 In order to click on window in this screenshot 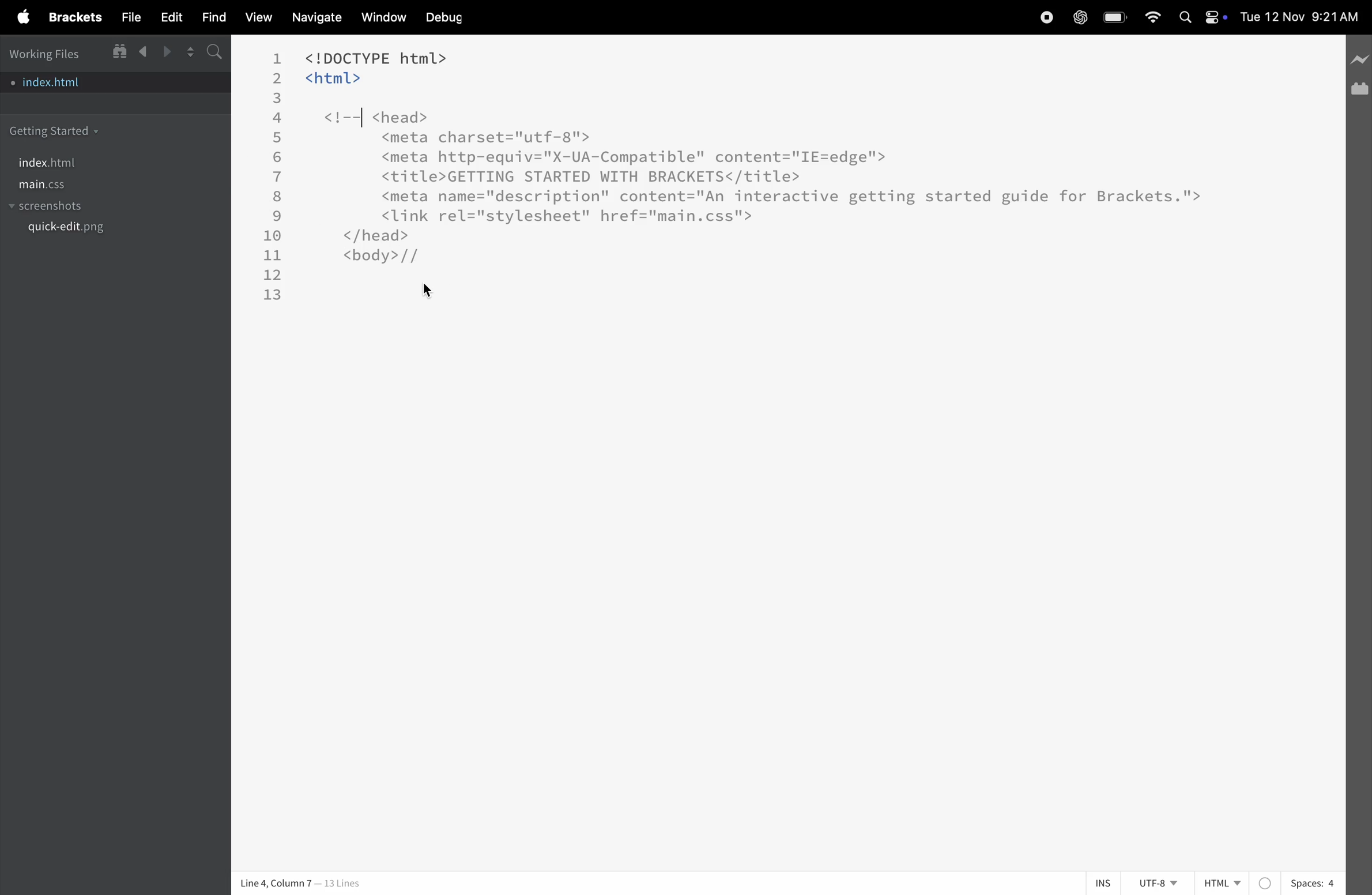, I will do `click(382, 17)`.